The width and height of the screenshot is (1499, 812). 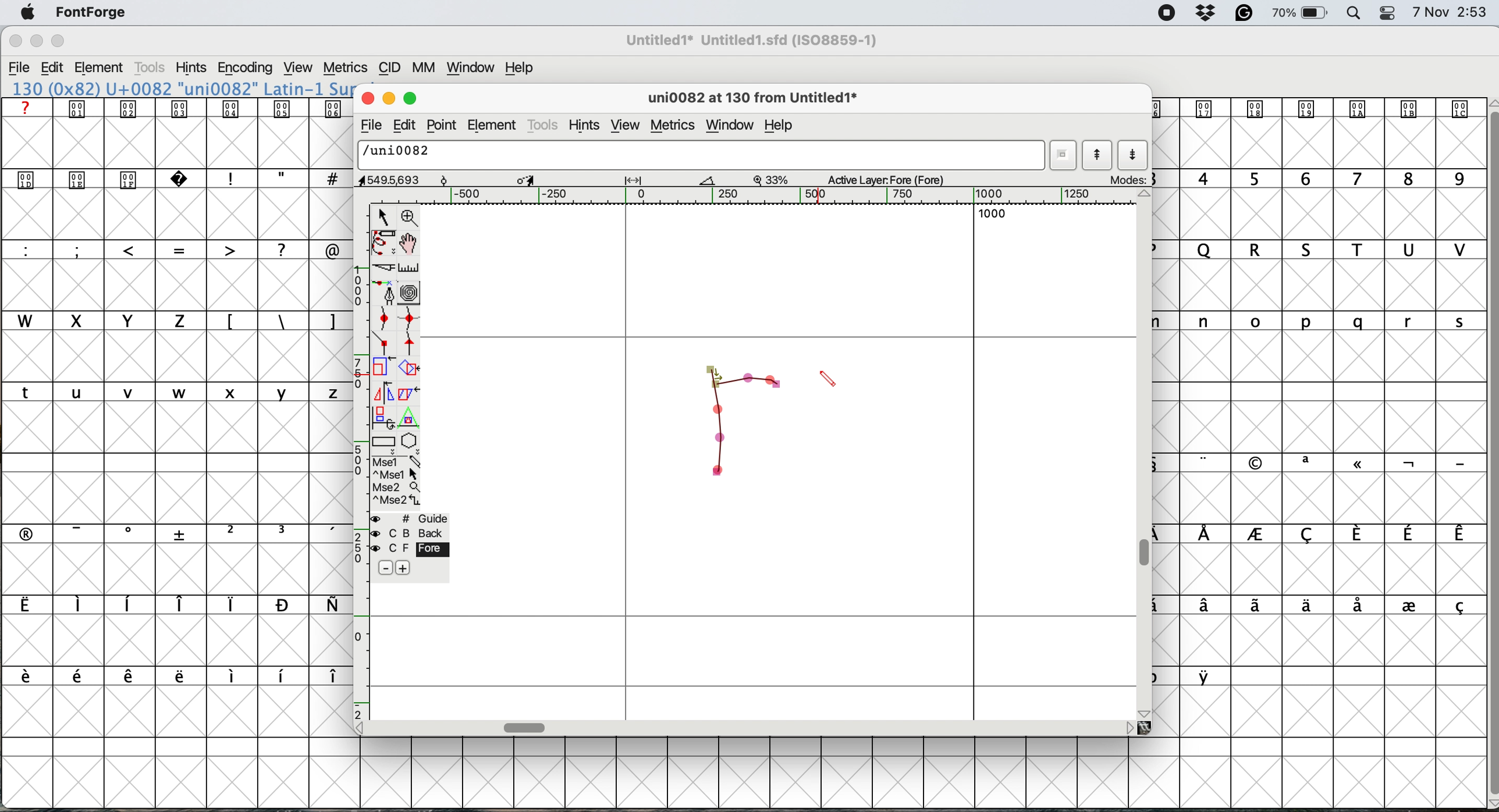 I want to click on help, so click(x=517, y=69).